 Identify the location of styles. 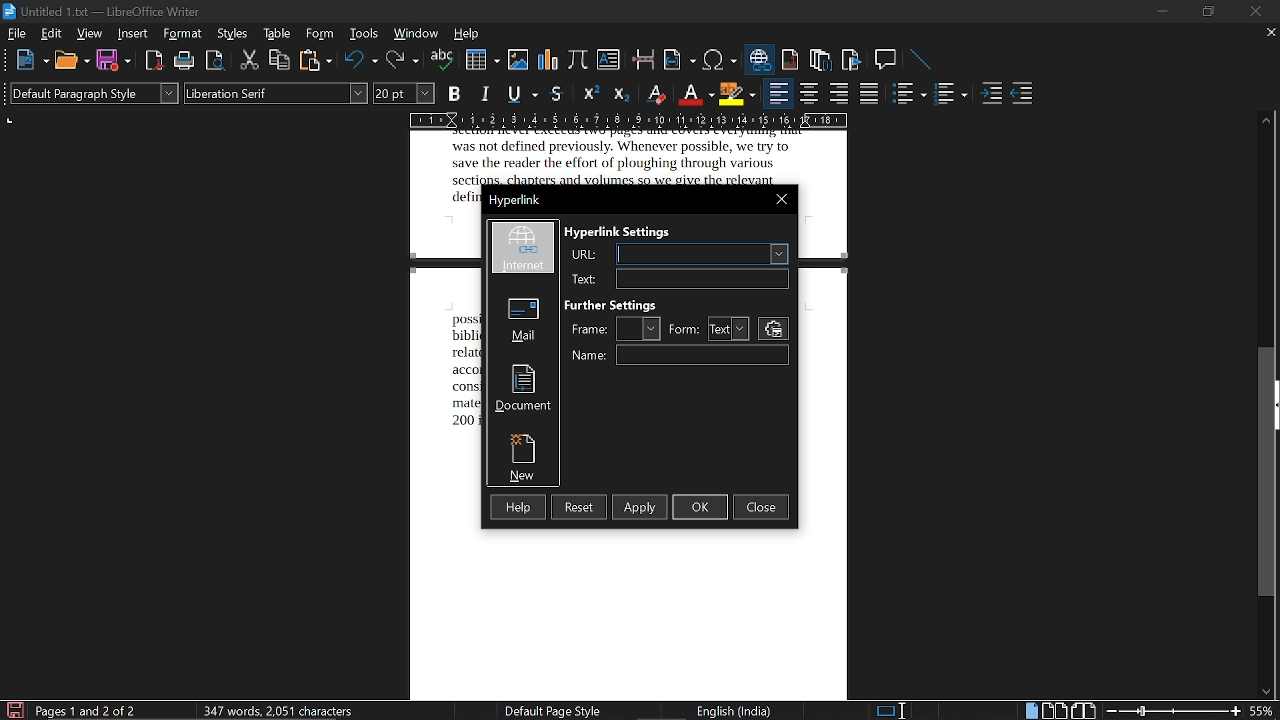
(232, 34).